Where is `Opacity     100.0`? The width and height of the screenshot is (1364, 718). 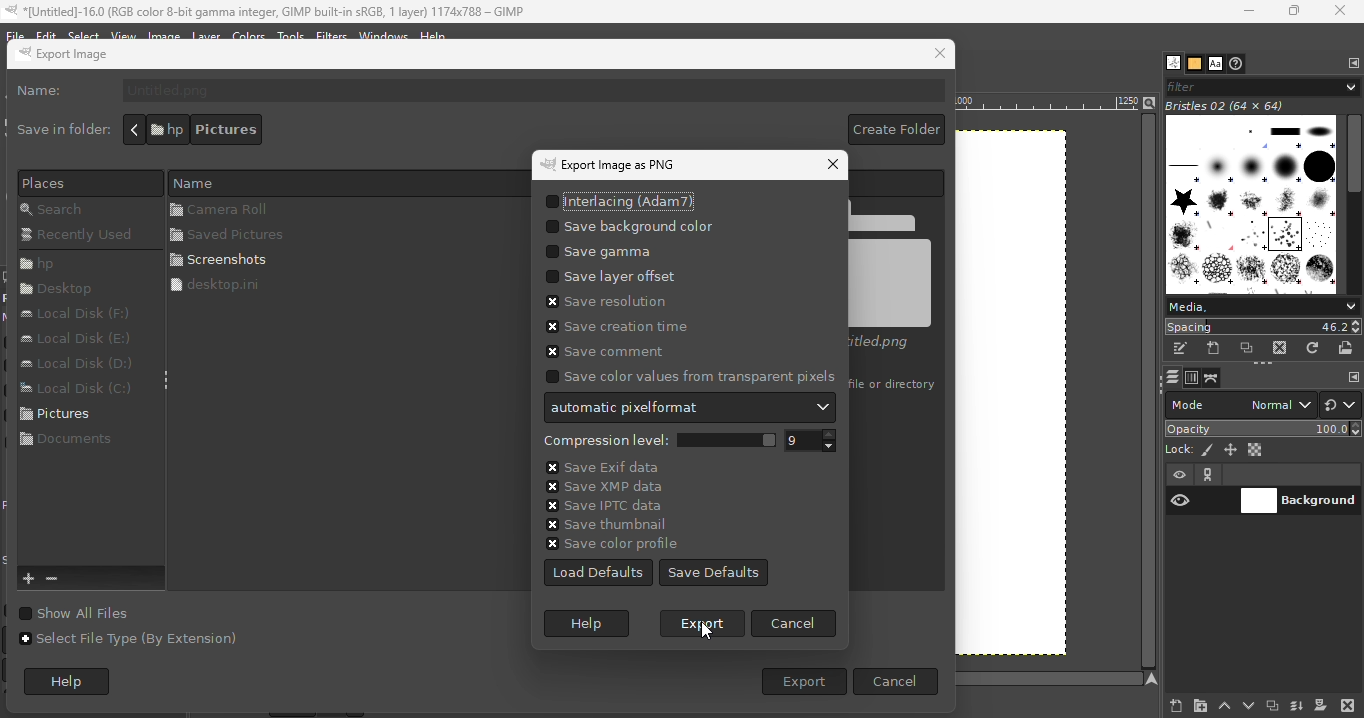 Opacity     100.0 is located at coordinates (1264, 428).